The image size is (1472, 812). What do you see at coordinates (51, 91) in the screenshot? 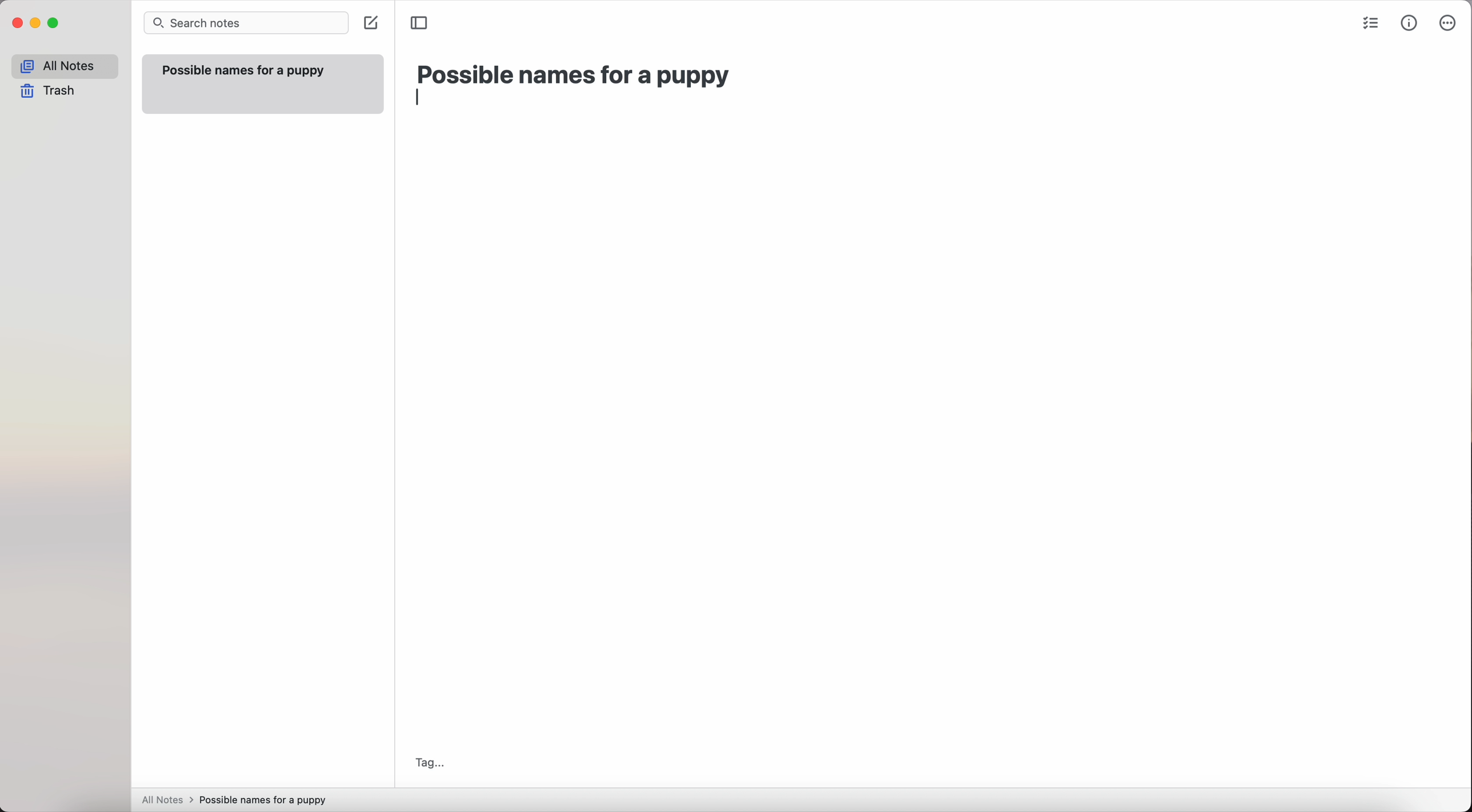
I see `trash` at bounding box center [51, 91].